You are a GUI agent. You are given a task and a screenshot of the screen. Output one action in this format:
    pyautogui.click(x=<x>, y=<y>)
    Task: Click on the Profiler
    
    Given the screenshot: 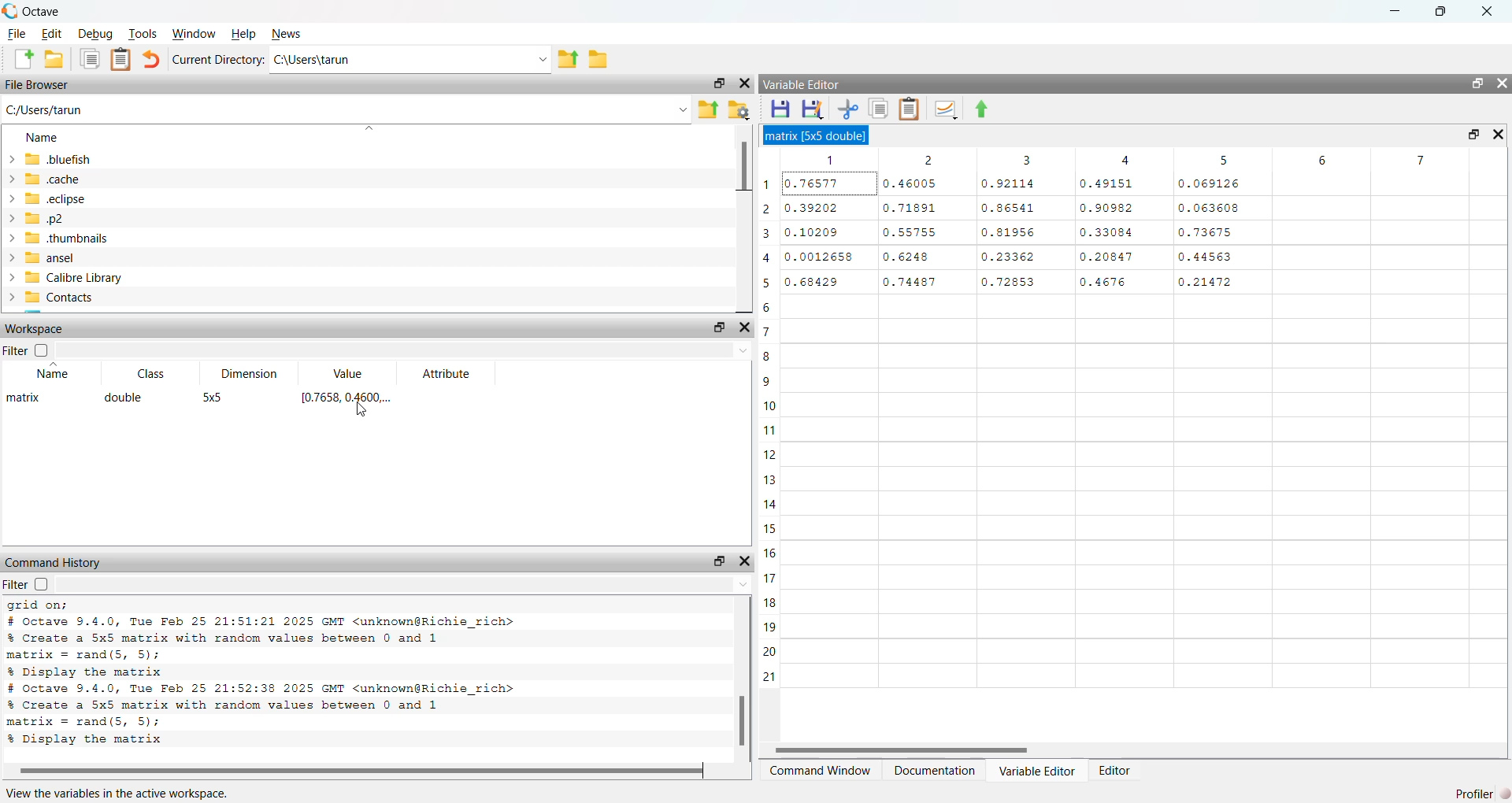 What is the action you would take?
    pyautogui.click(x=1471, y=793)
    